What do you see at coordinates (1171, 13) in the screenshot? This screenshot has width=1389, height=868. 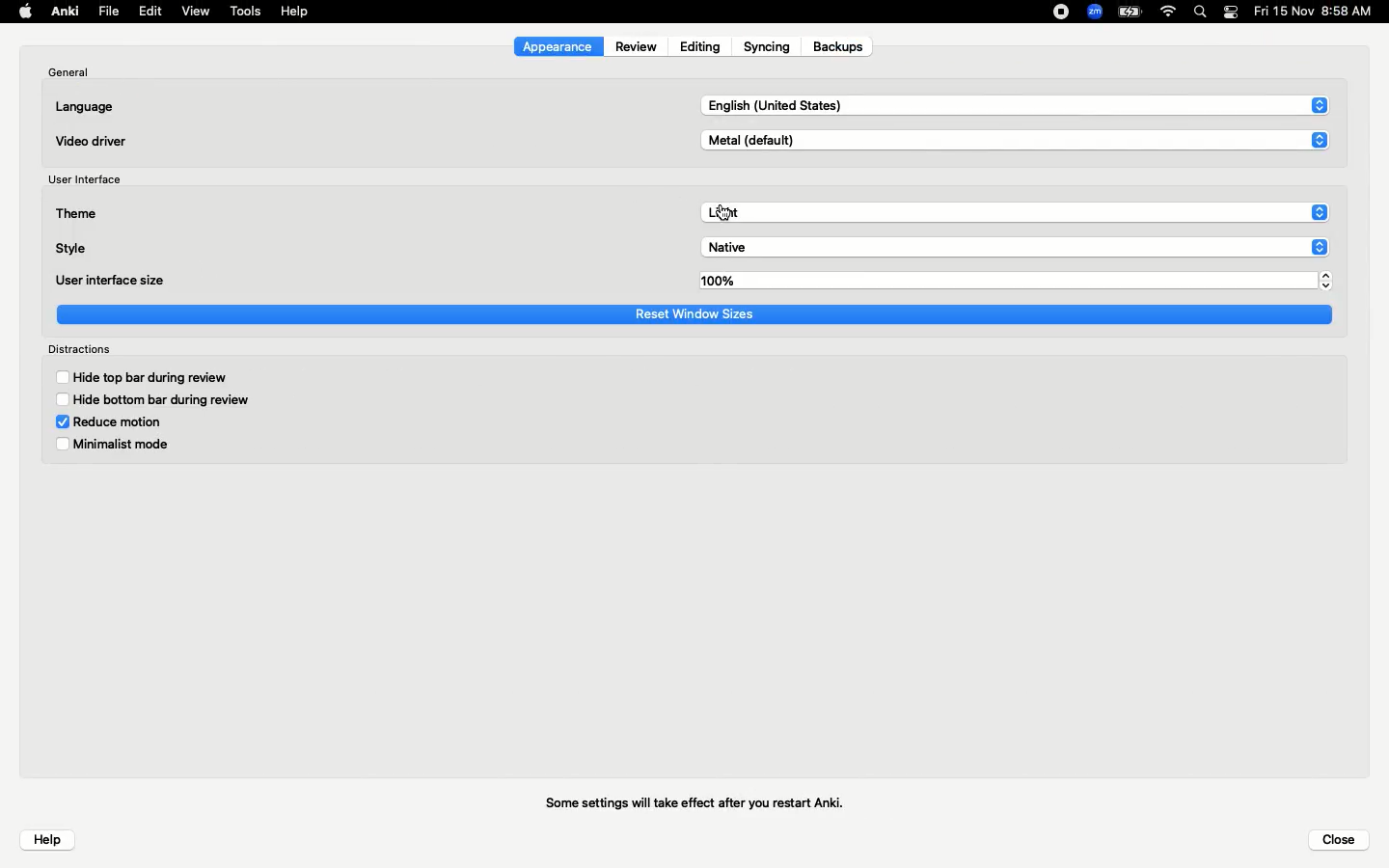 I see `Internet` at bounding box center [1171, 13].